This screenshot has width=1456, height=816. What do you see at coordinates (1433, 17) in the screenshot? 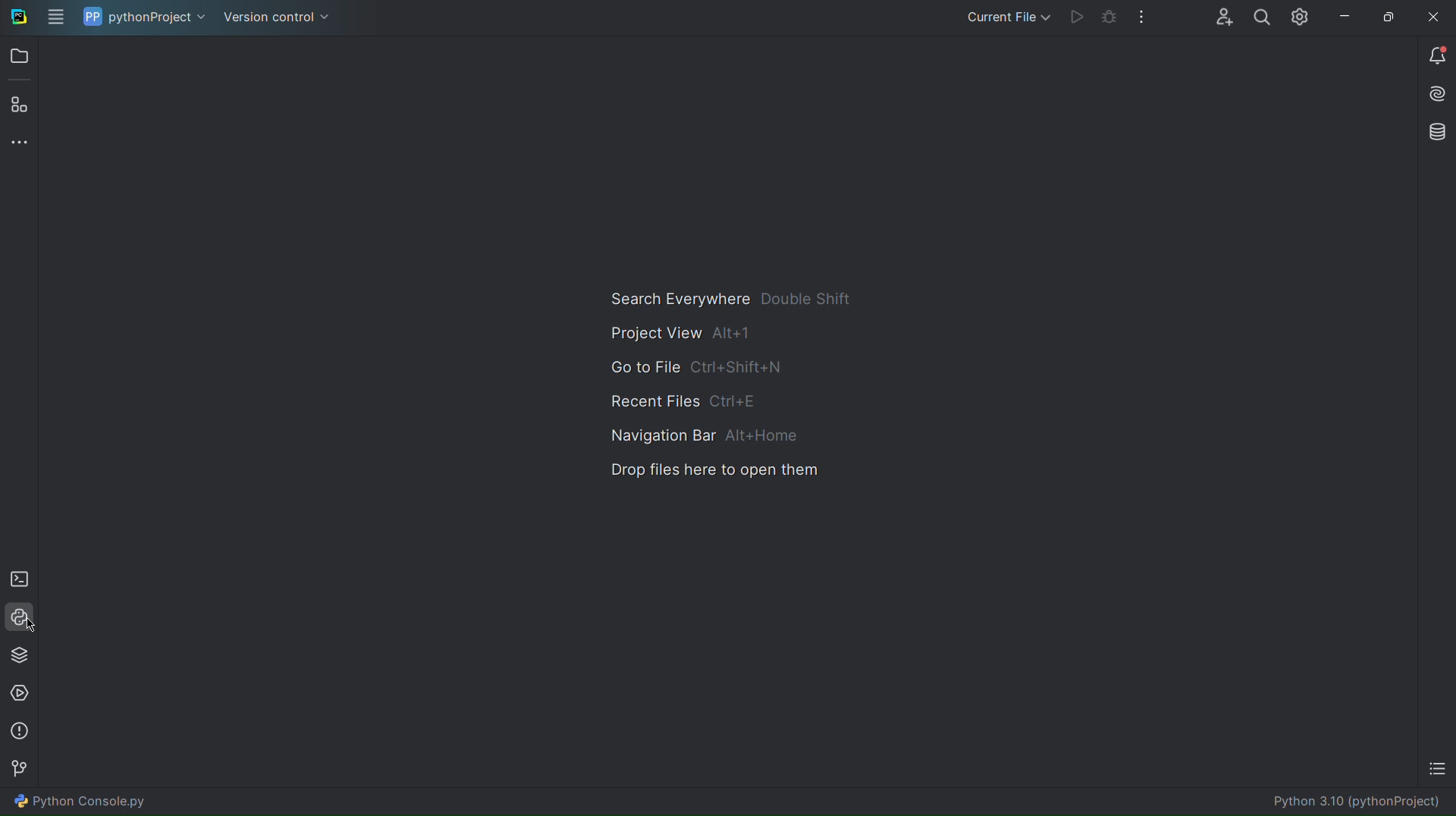
I see `Close` at bounding box center [1433, 17].